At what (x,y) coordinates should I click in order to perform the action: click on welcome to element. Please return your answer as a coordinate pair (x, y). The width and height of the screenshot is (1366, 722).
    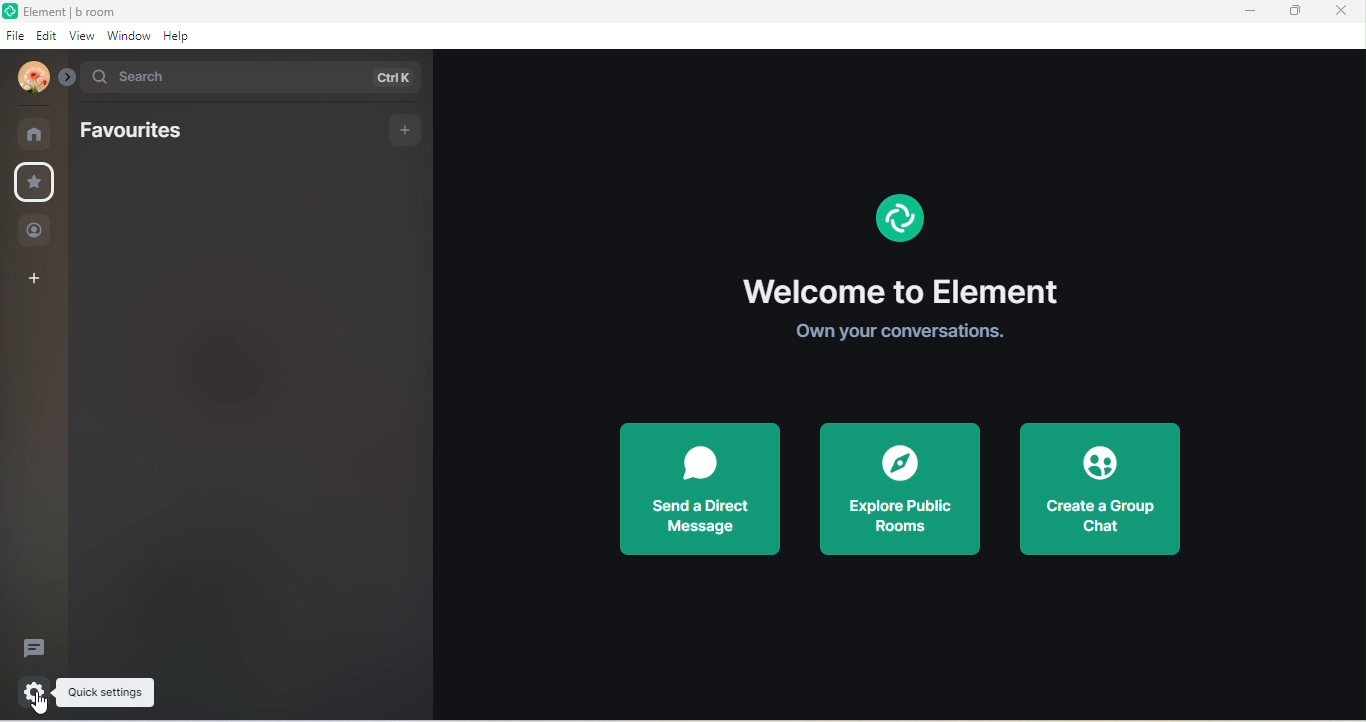
    Looking at the image, I should click on (895, 293).